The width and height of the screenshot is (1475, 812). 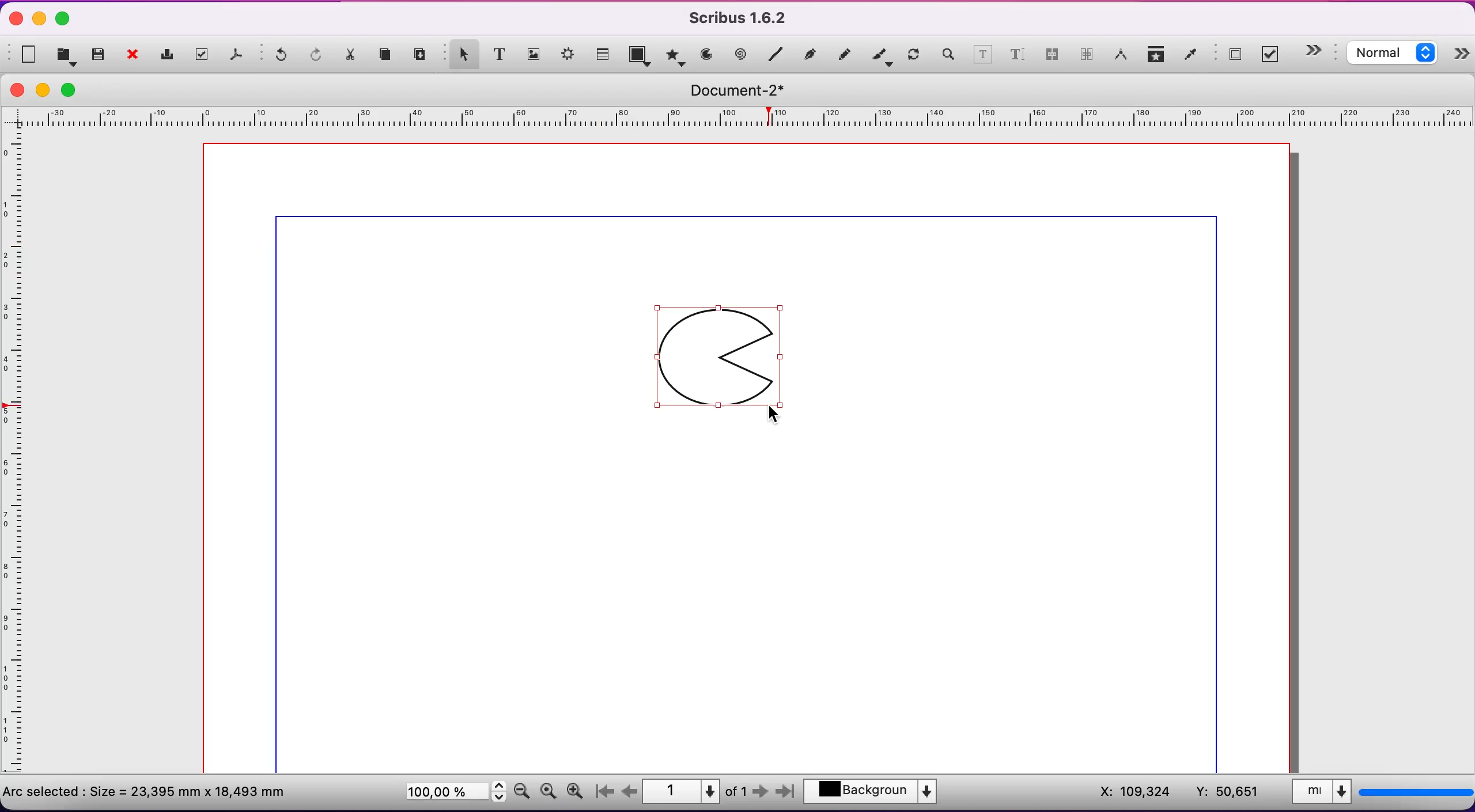 What do you see at coordinates (578, 788) in the screenshot?
I see `zoom in` at bounding box center [578, 788].